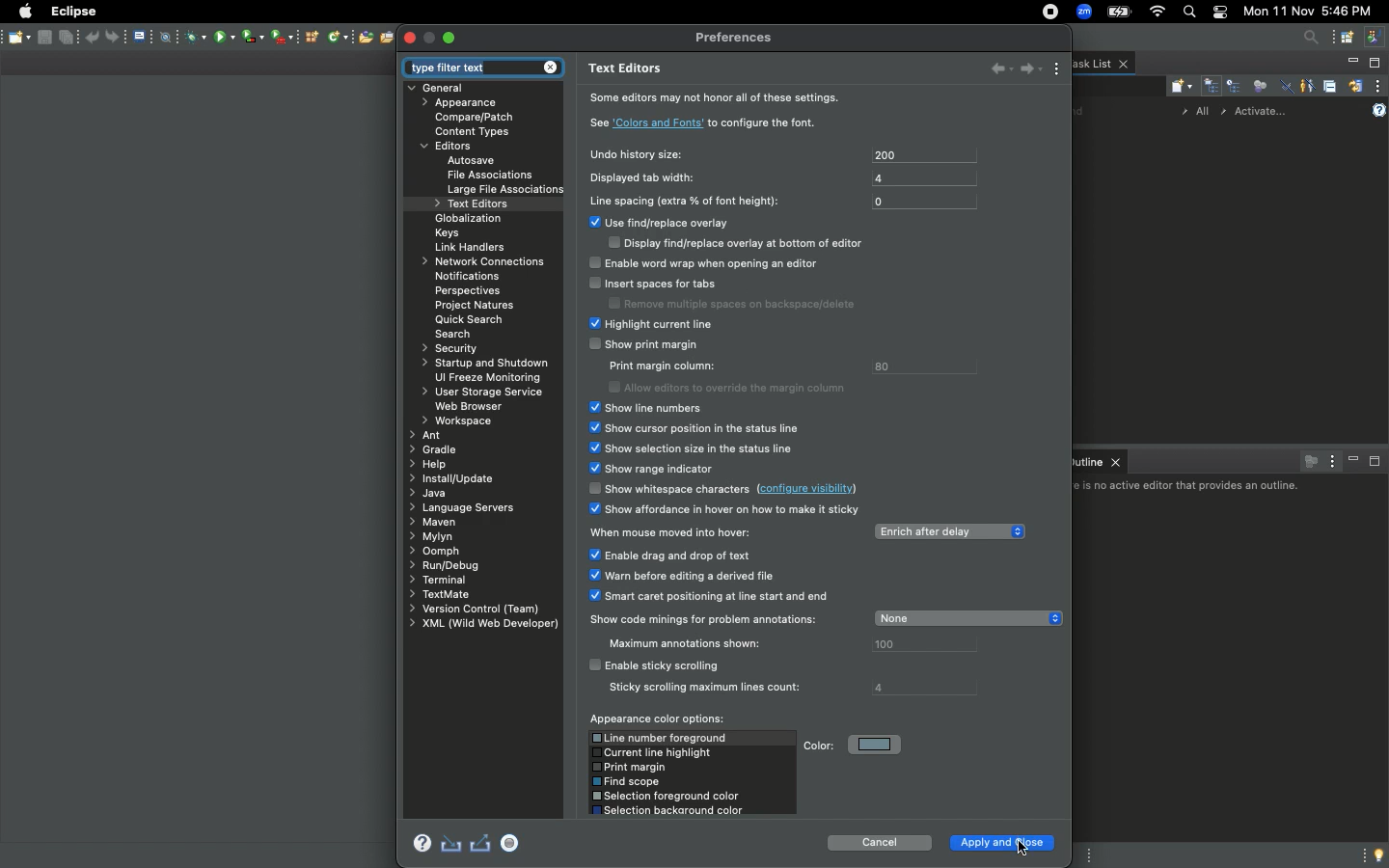  I want to click on None, so click(967, 618).